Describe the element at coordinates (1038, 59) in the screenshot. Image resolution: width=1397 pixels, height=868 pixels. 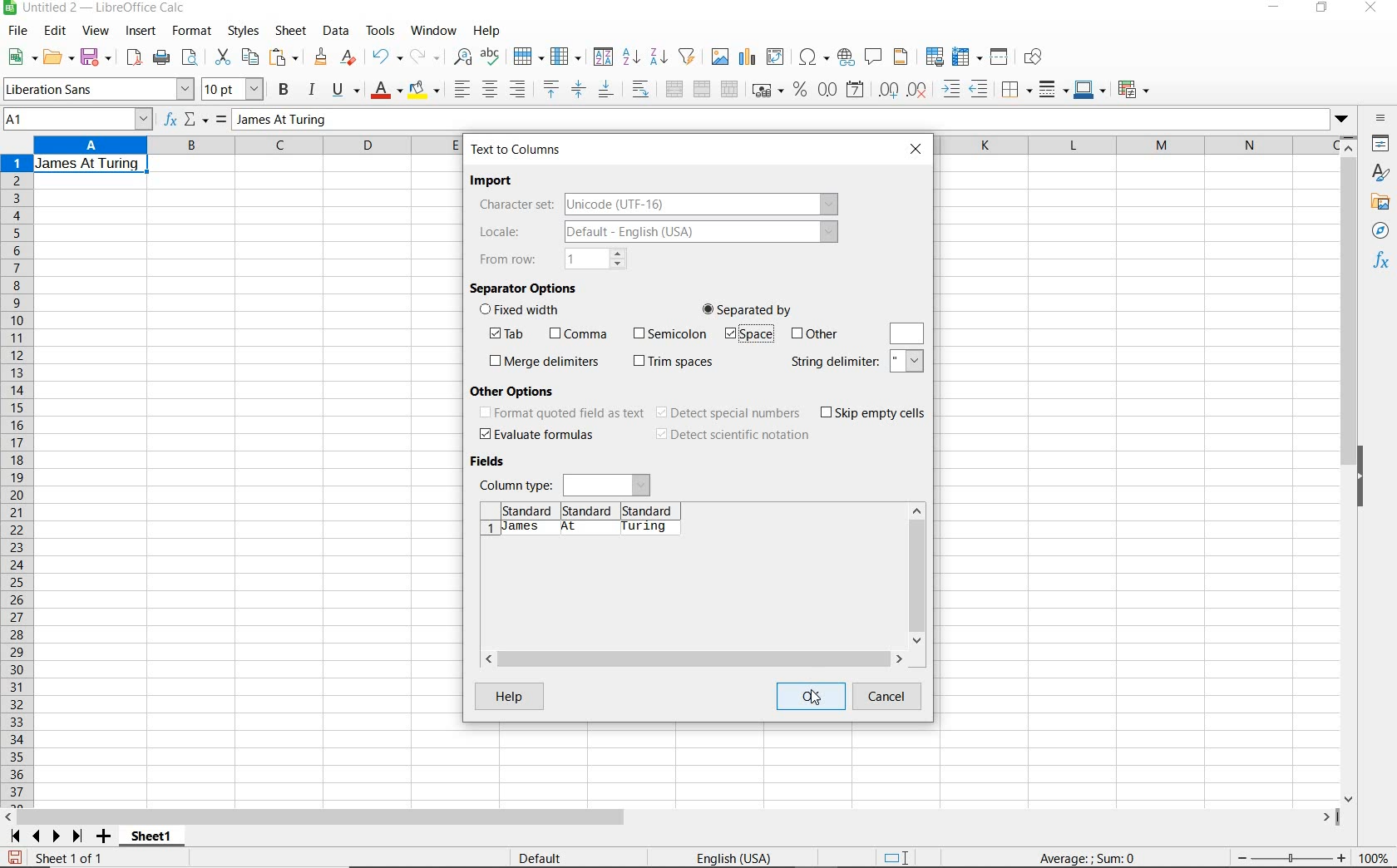
I see `show draw functions` at that location.